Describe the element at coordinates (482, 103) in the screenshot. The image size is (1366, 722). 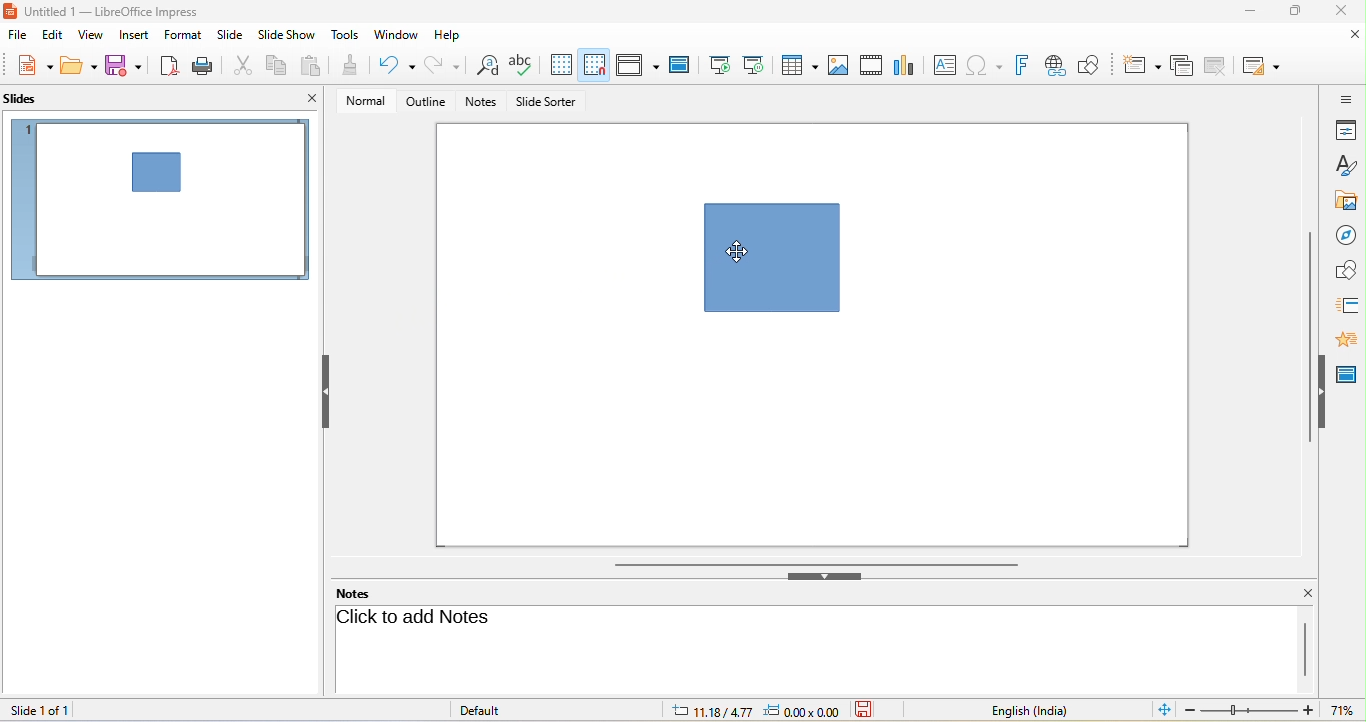
I see `notes` at that location.